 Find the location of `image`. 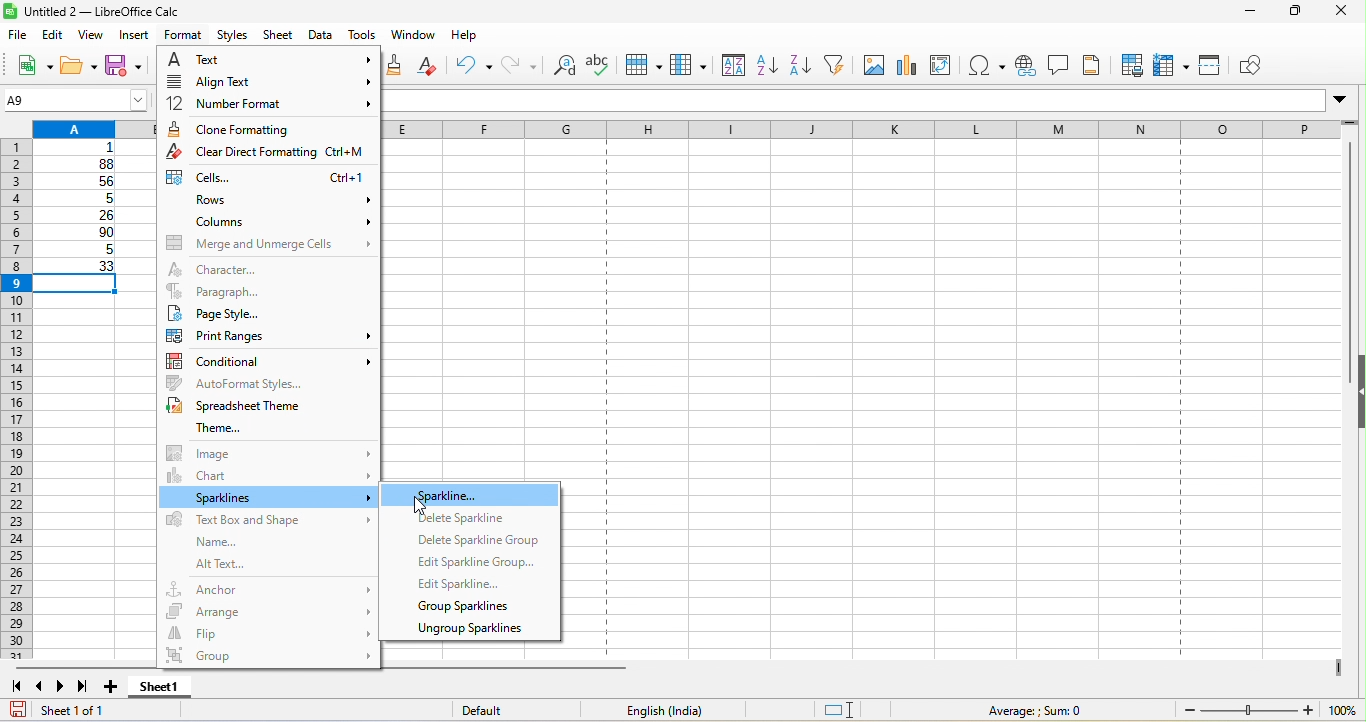

image is located at coordinates (872, 64).